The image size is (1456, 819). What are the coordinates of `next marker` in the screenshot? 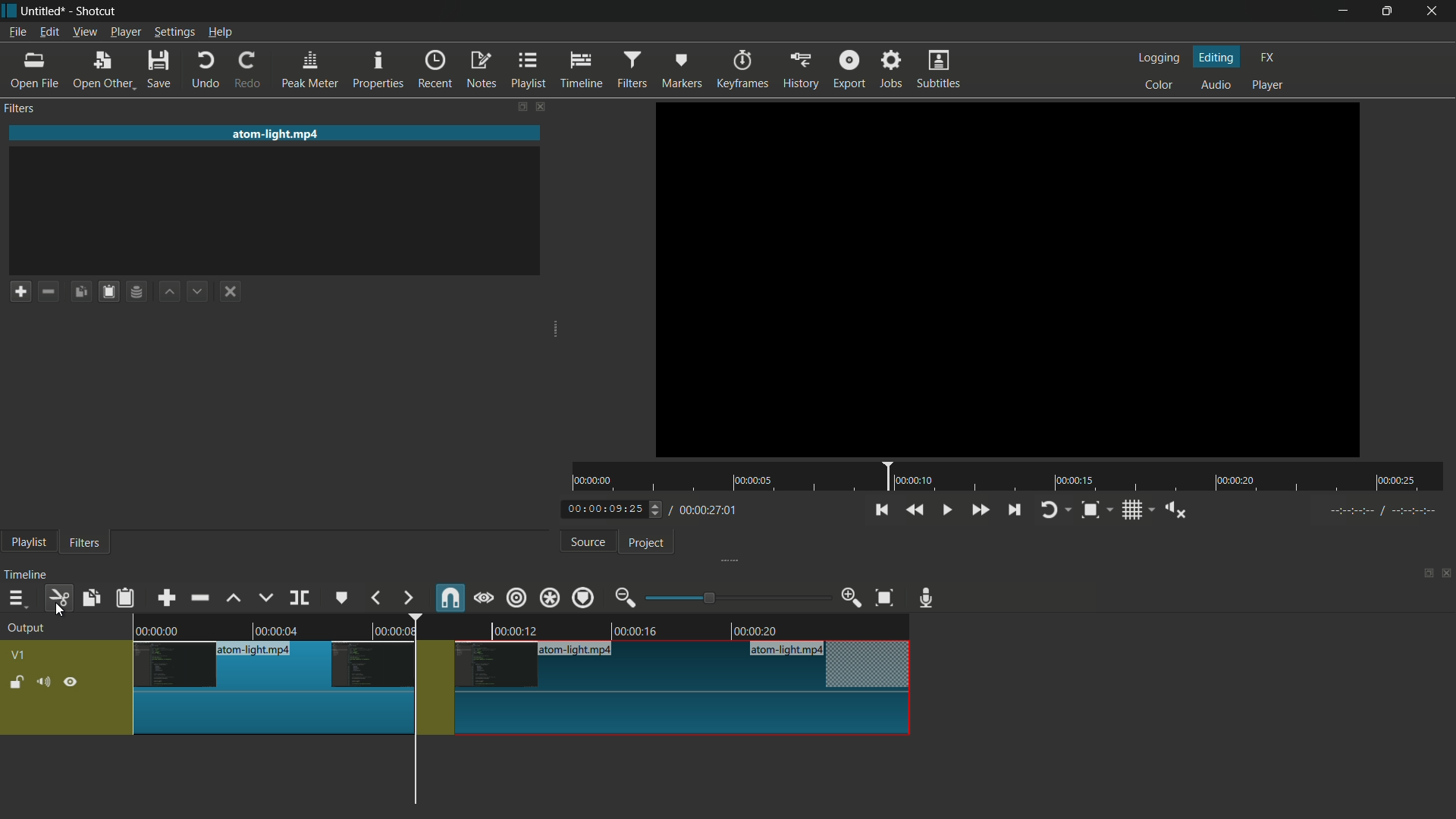 It's located at (407, 598).